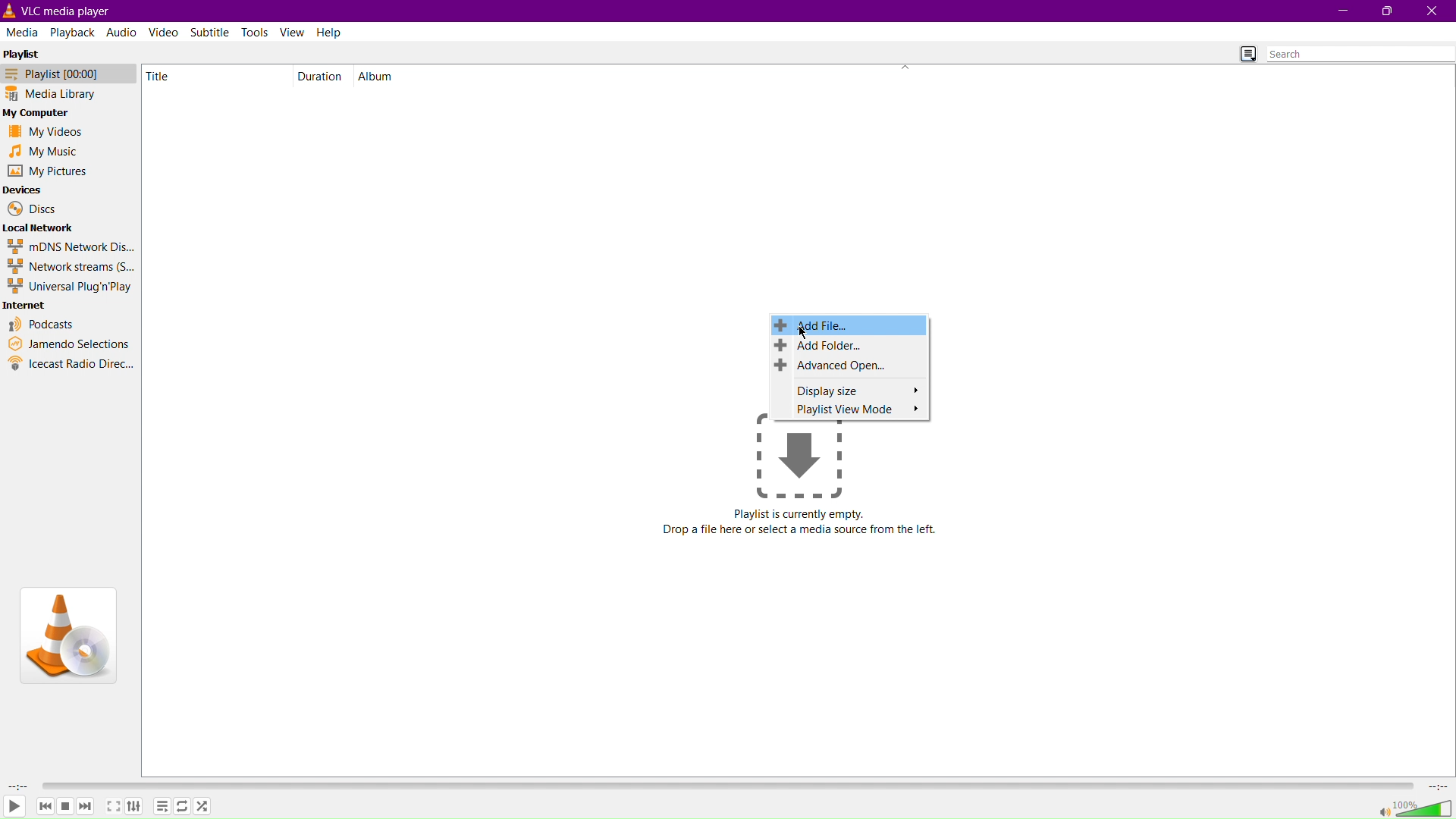 This screenshot has width=1456, height=819. I want to click on My Computer, so click(39, 114).